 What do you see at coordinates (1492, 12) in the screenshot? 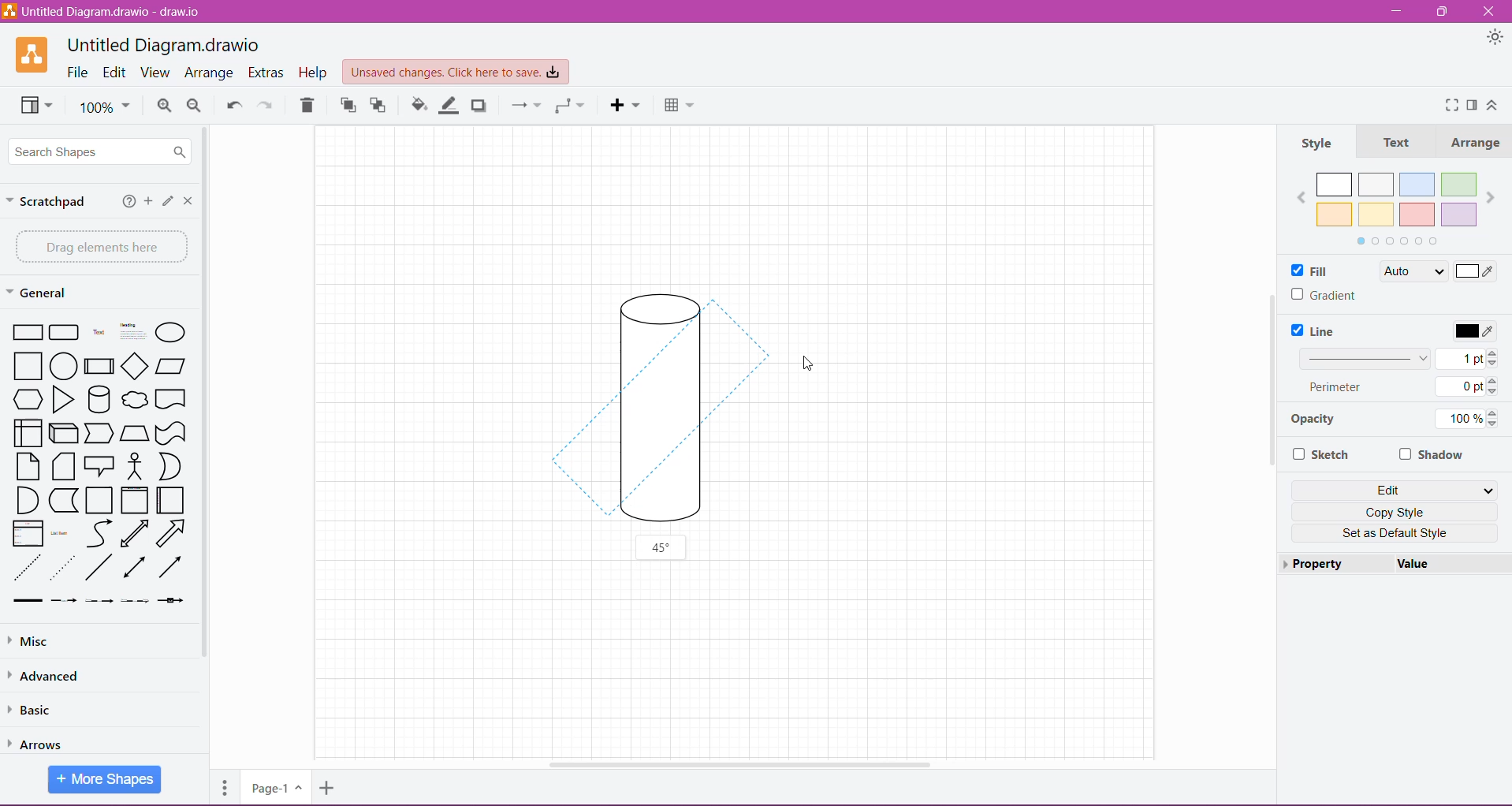
I see `Close` at bounding box center [1492, 12].